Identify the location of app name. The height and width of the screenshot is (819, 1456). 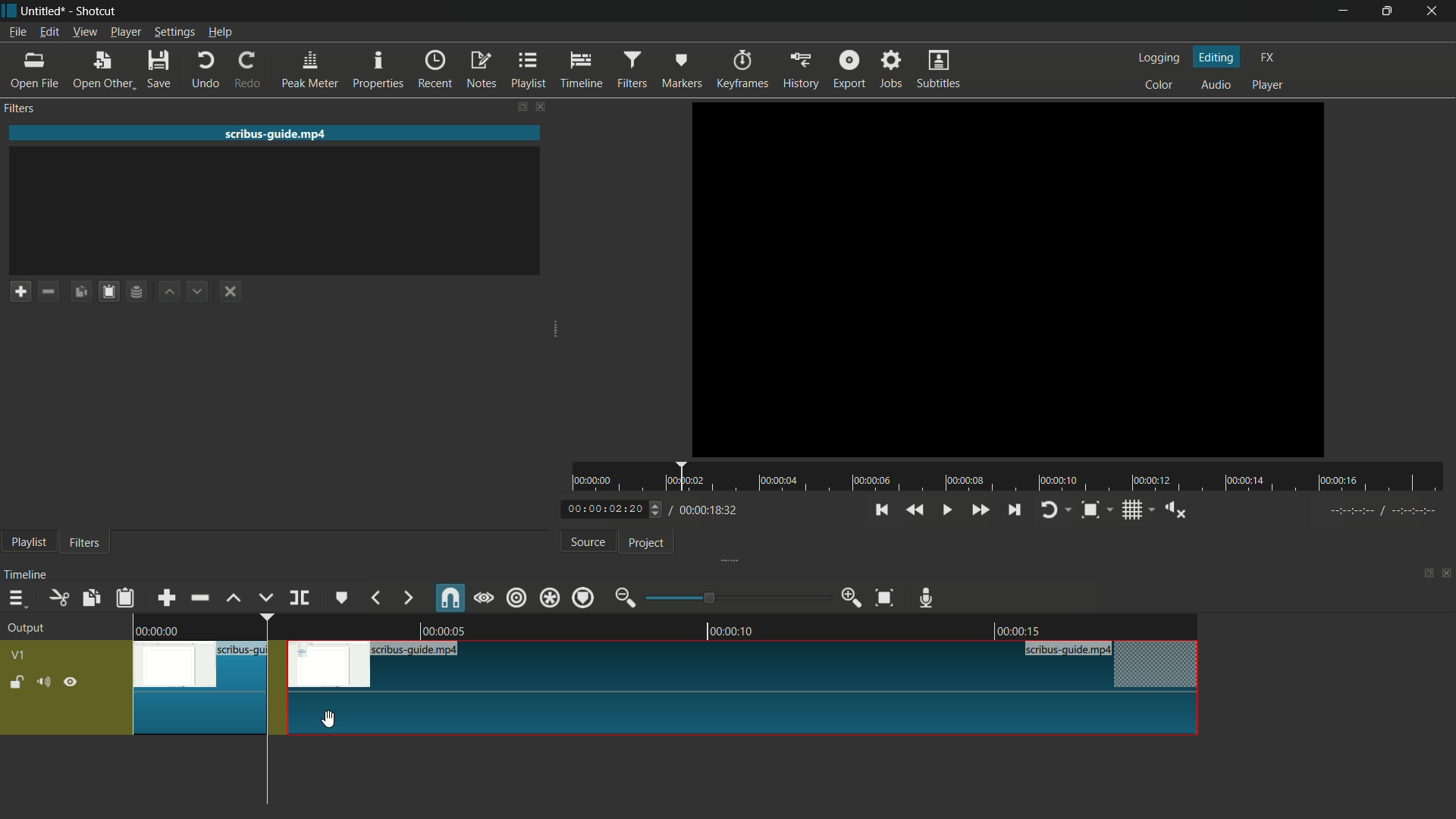
(96, 11).